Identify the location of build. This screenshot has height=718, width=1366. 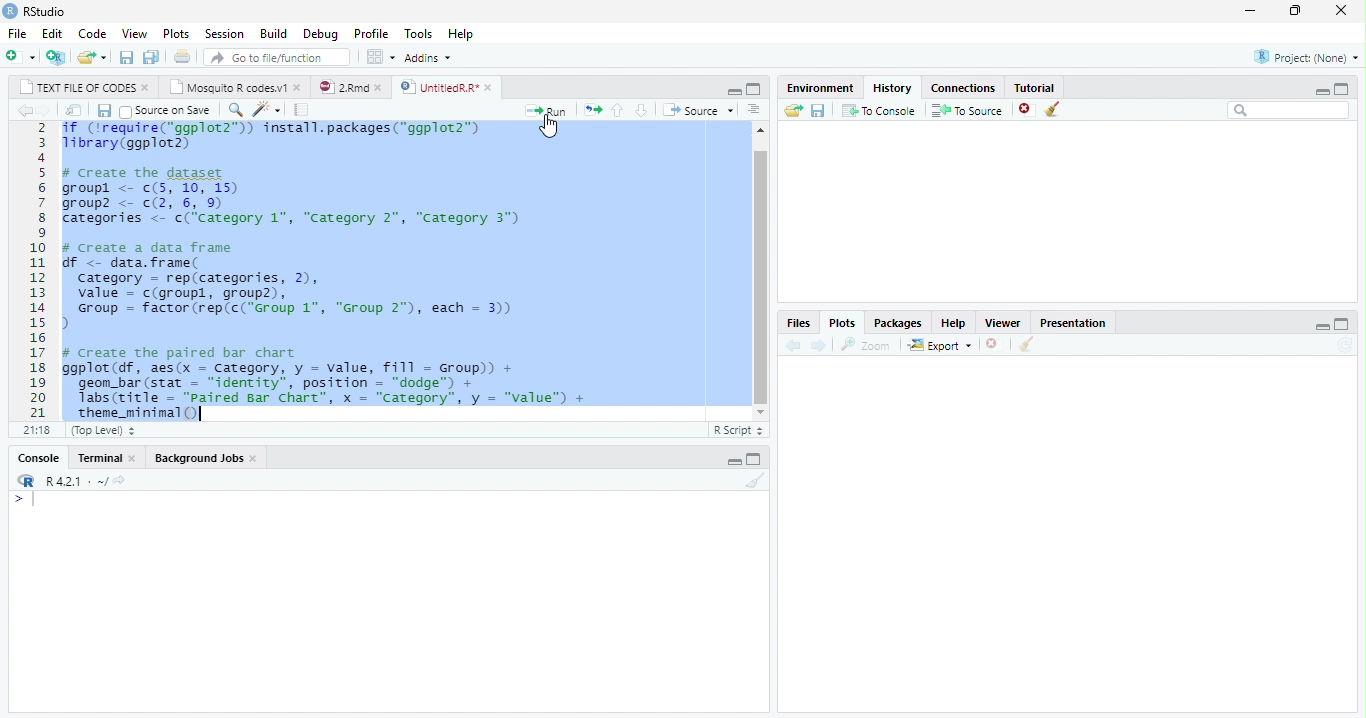
(273, 31).